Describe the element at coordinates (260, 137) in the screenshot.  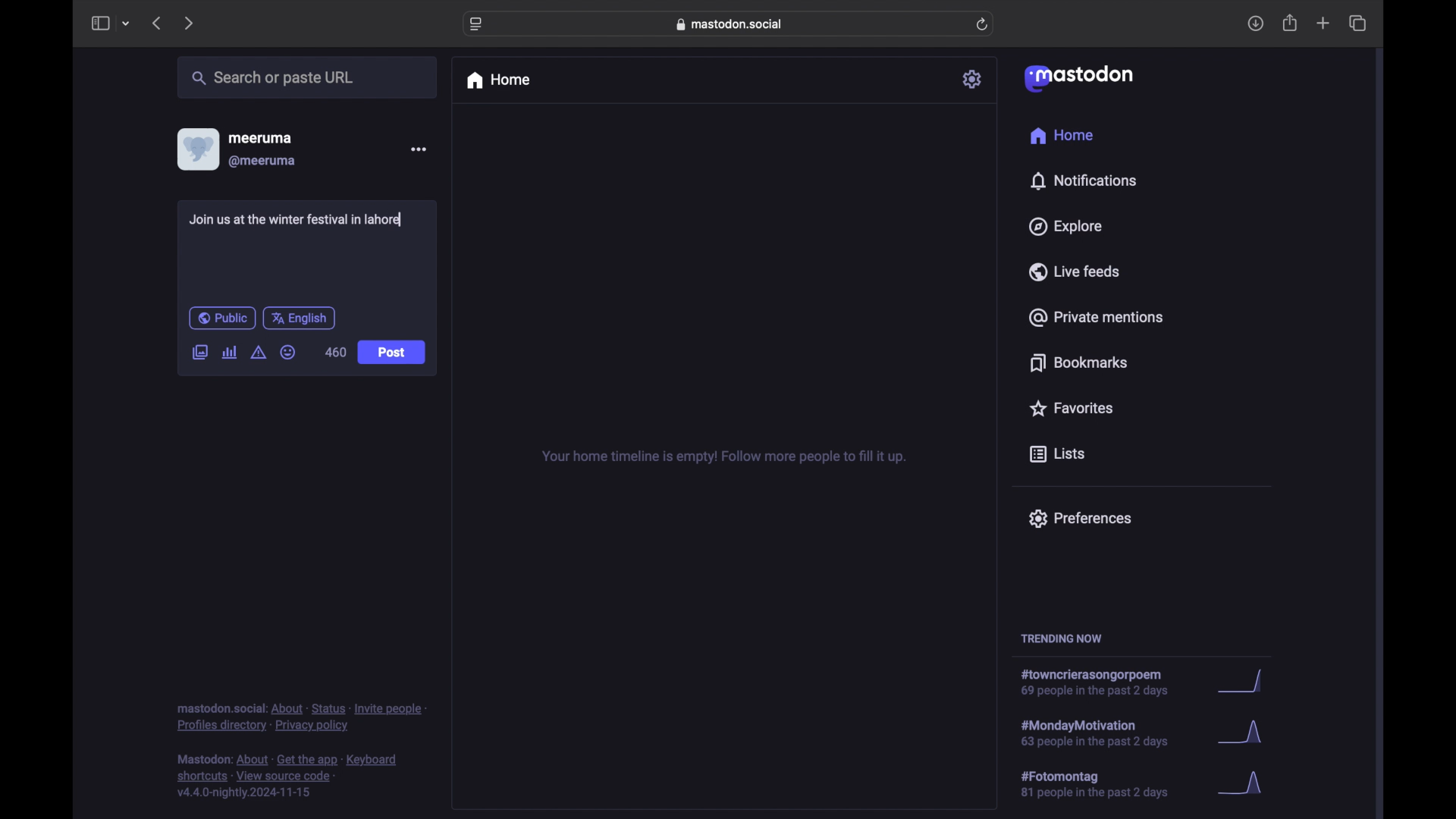
I see `meeruma` at that location.